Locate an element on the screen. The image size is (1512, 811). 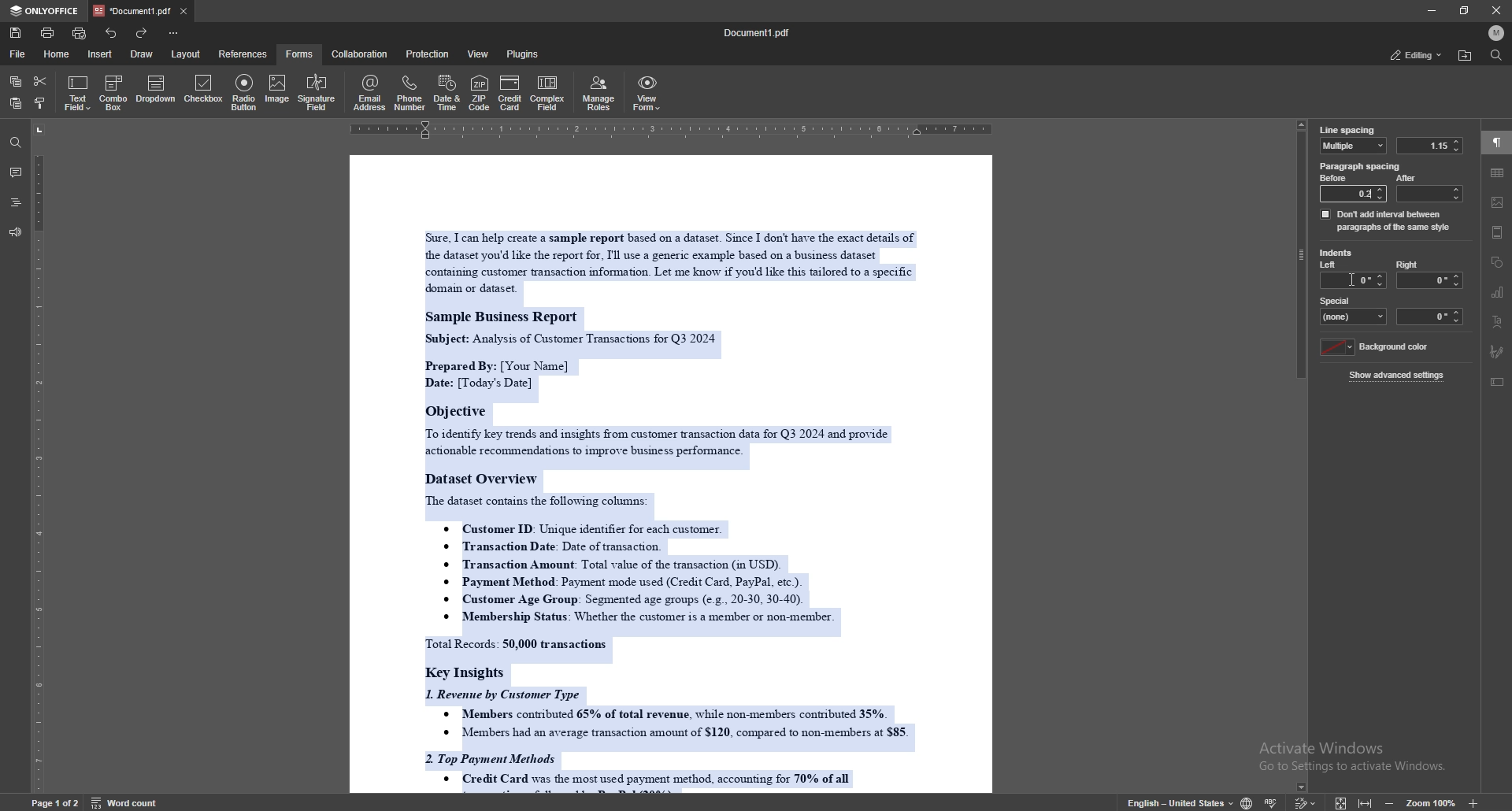
word count is located at coordinates (123, 802).